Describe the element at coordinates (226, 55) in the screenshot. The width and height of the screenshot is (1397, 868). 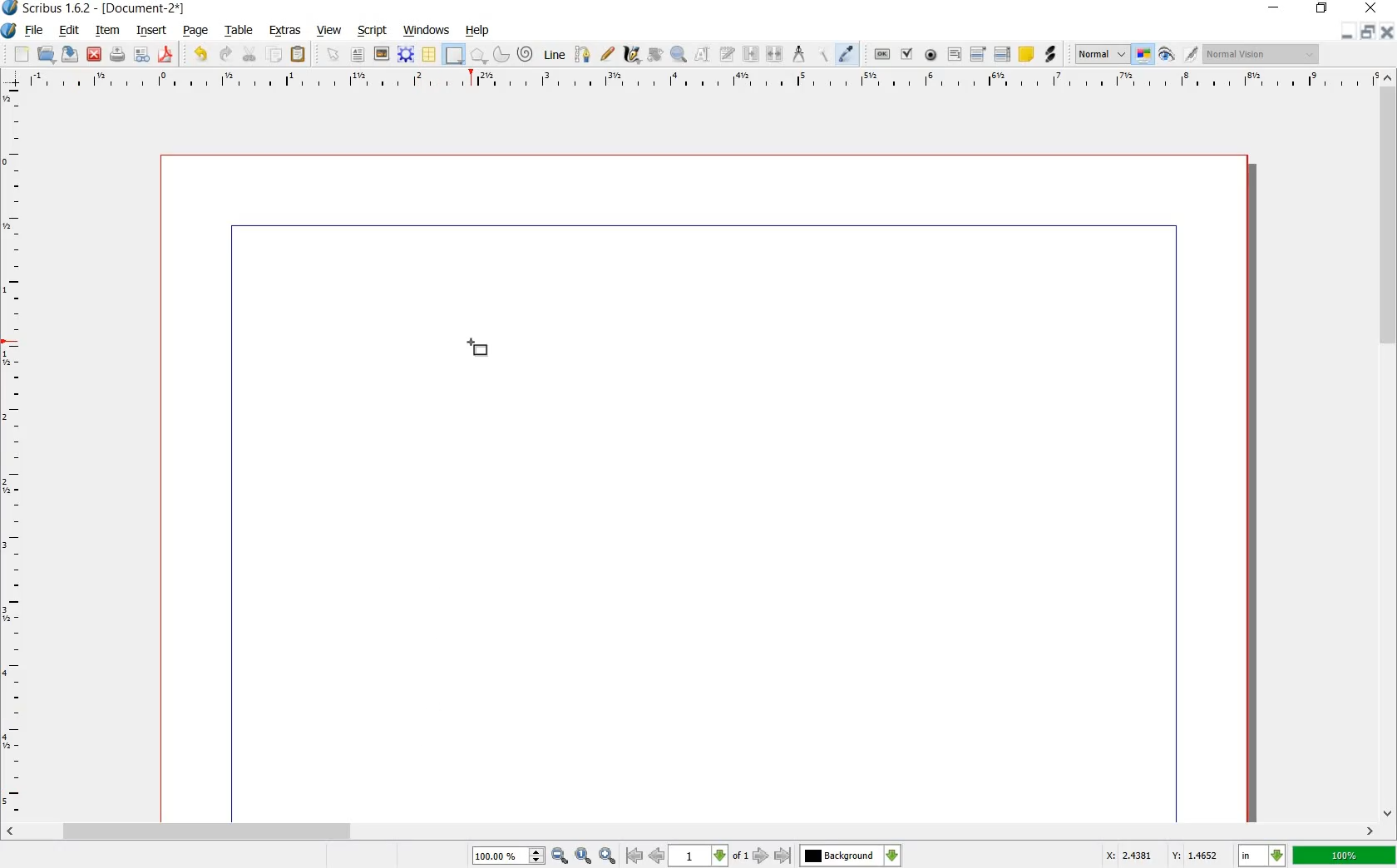
I see `REDO` at that location.